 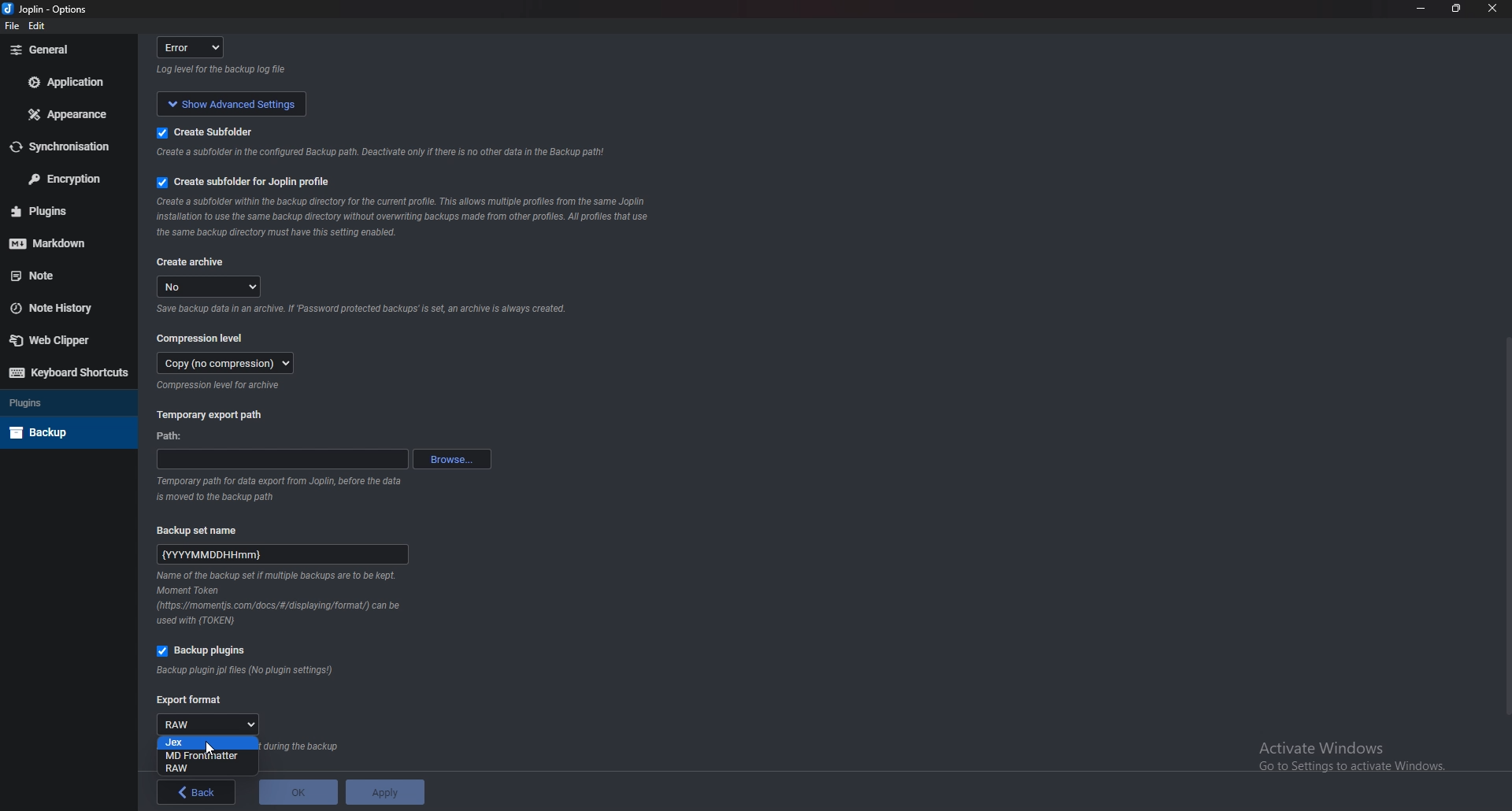 What do you see at coordinates (48, 10) in the screenshot?
I see `Joplin - options` at bounding box center [48, 10].